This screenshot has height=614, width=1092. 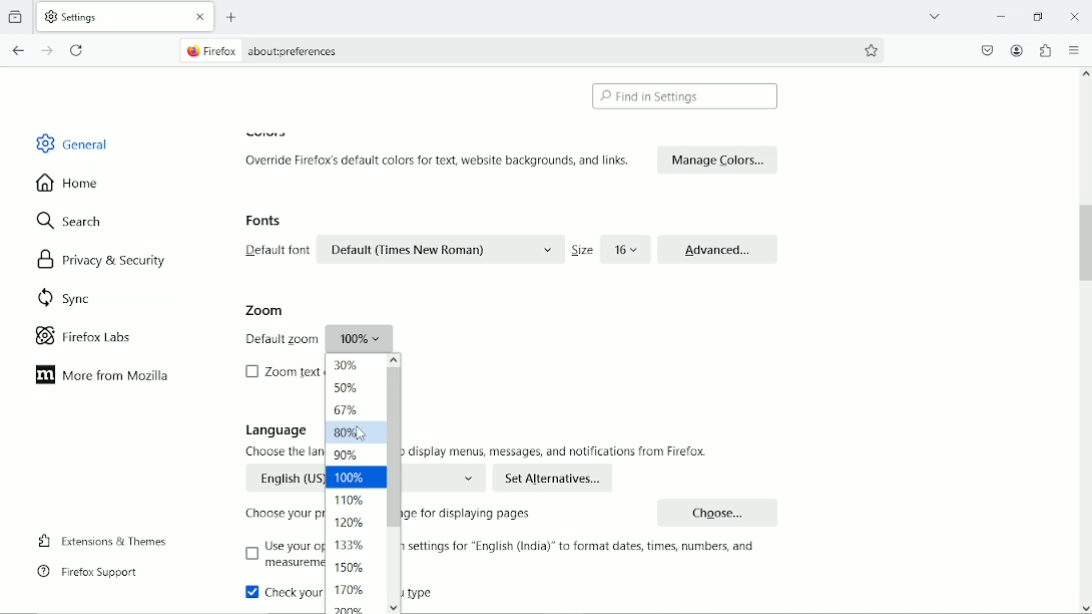 I want to click on 100%, so click(x=355, y=477).